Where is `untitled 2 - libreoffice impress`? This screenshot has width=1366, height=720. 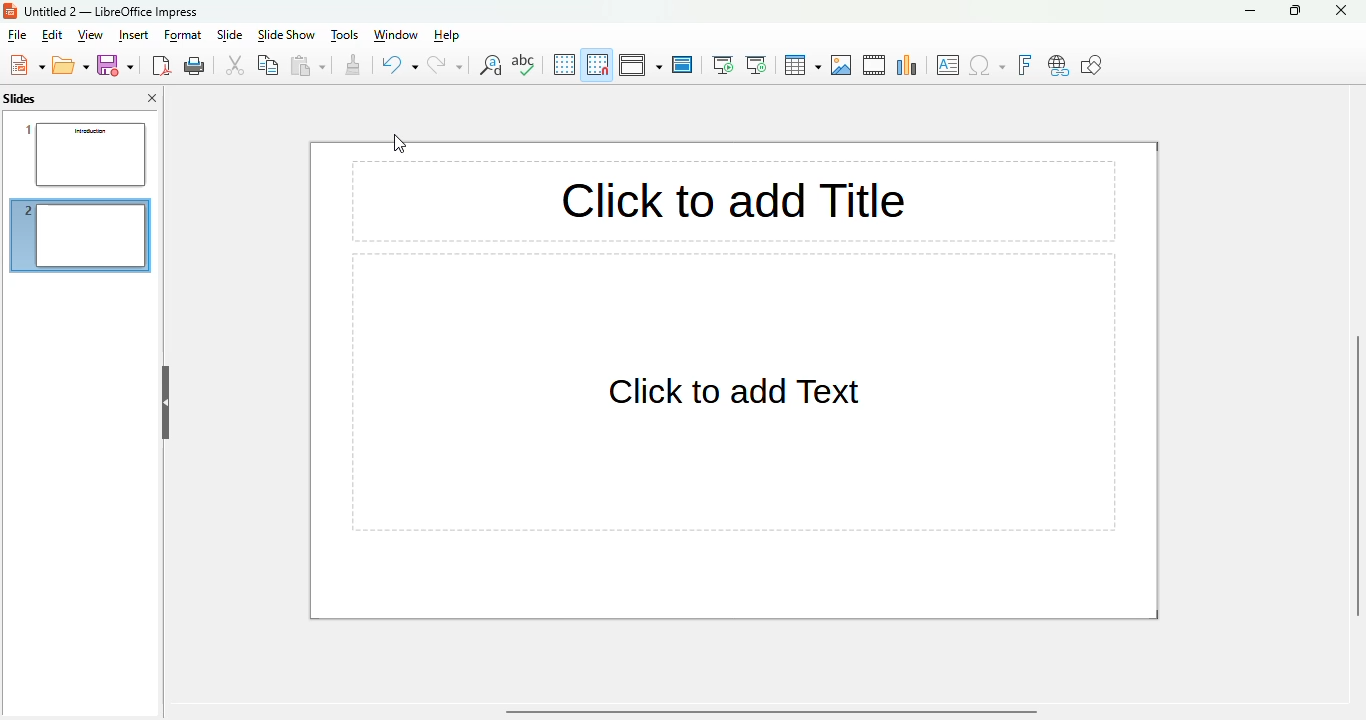
untitled 2 - libreoffice impress is located at coordinates (111, 11).